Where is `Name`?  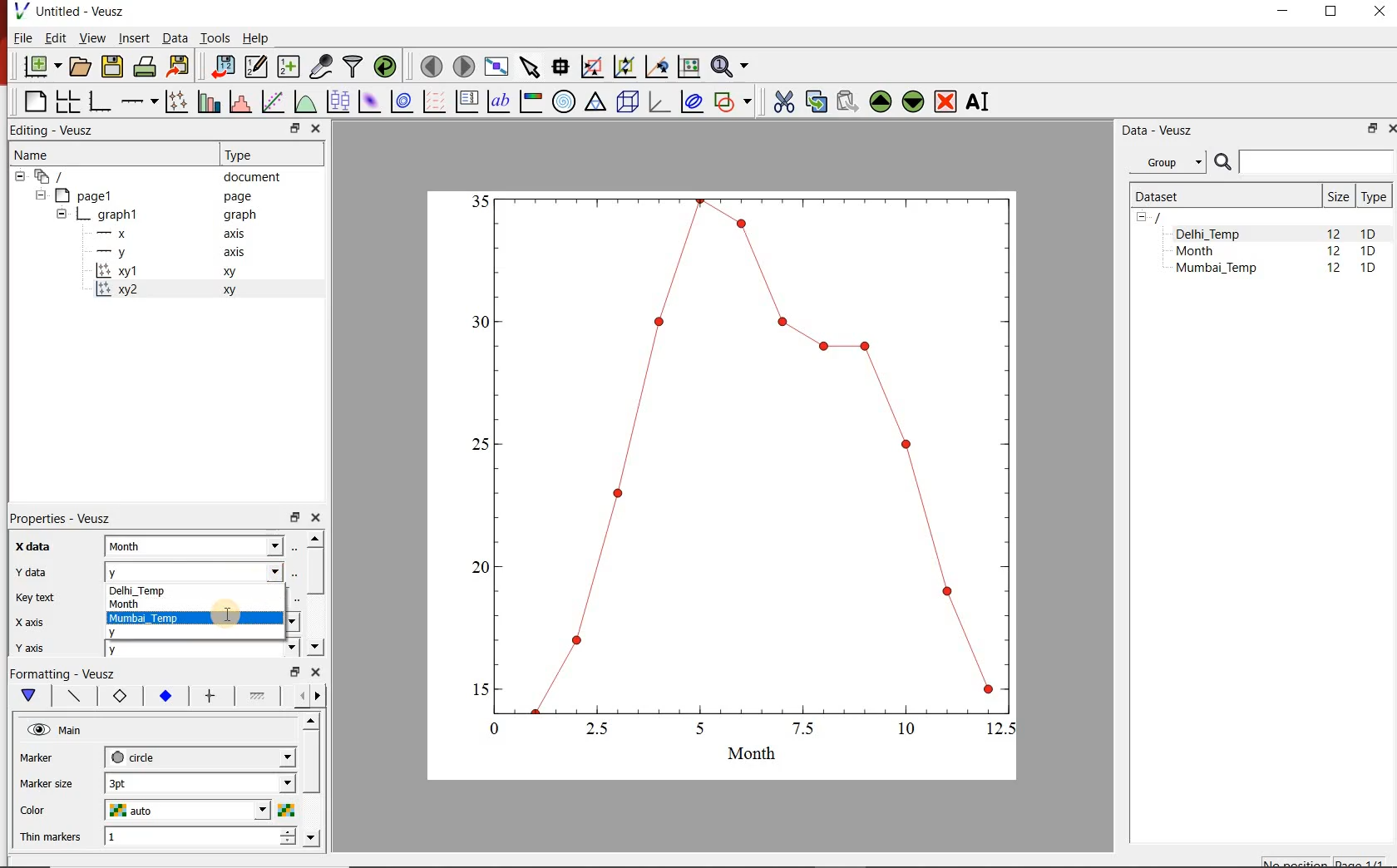
Name is located at coordinates (33, 154).